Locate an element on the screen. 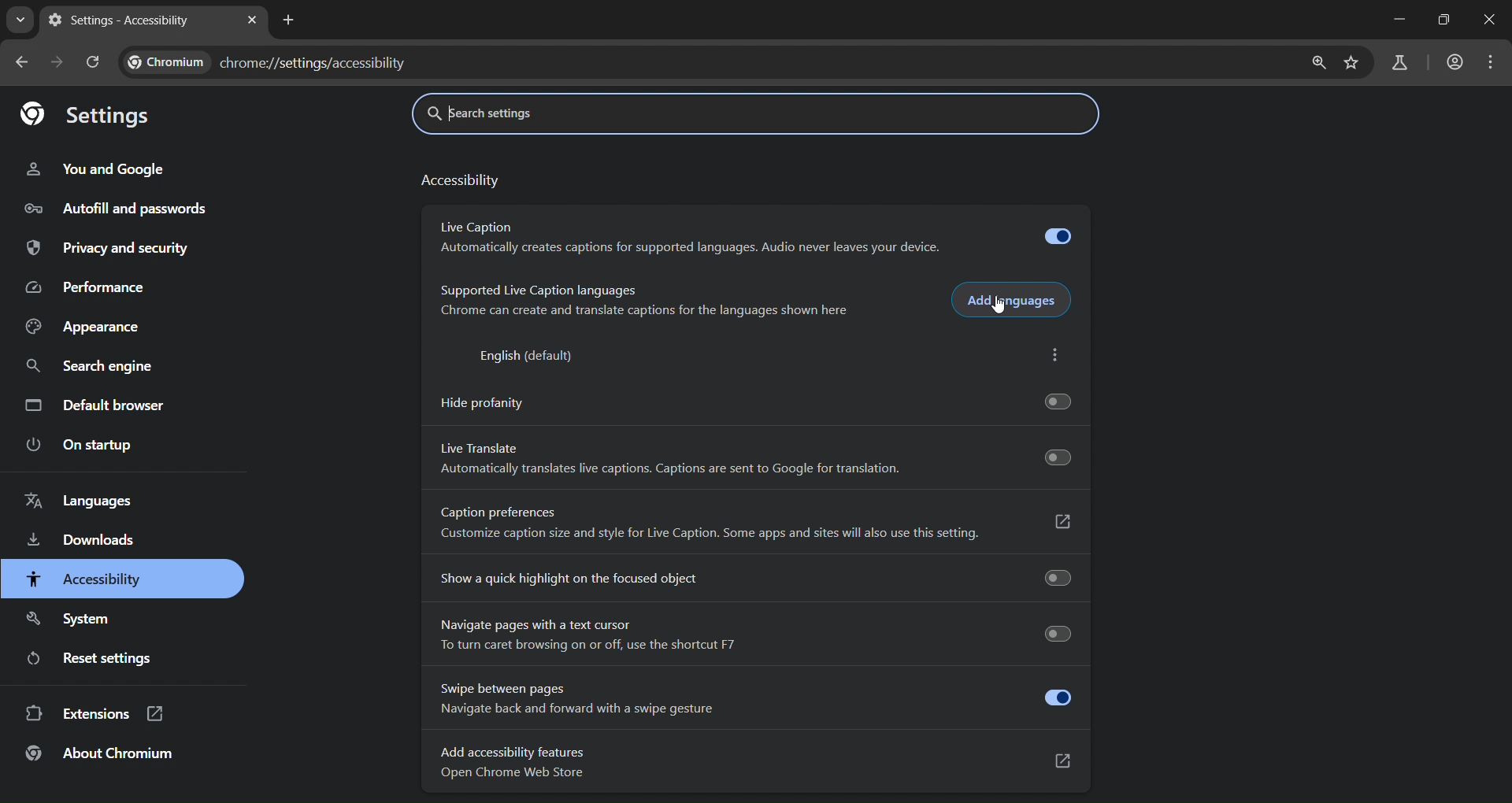 The width and height of the screenshot is (1512, 803). menu is located at coordinates (1492, 63).